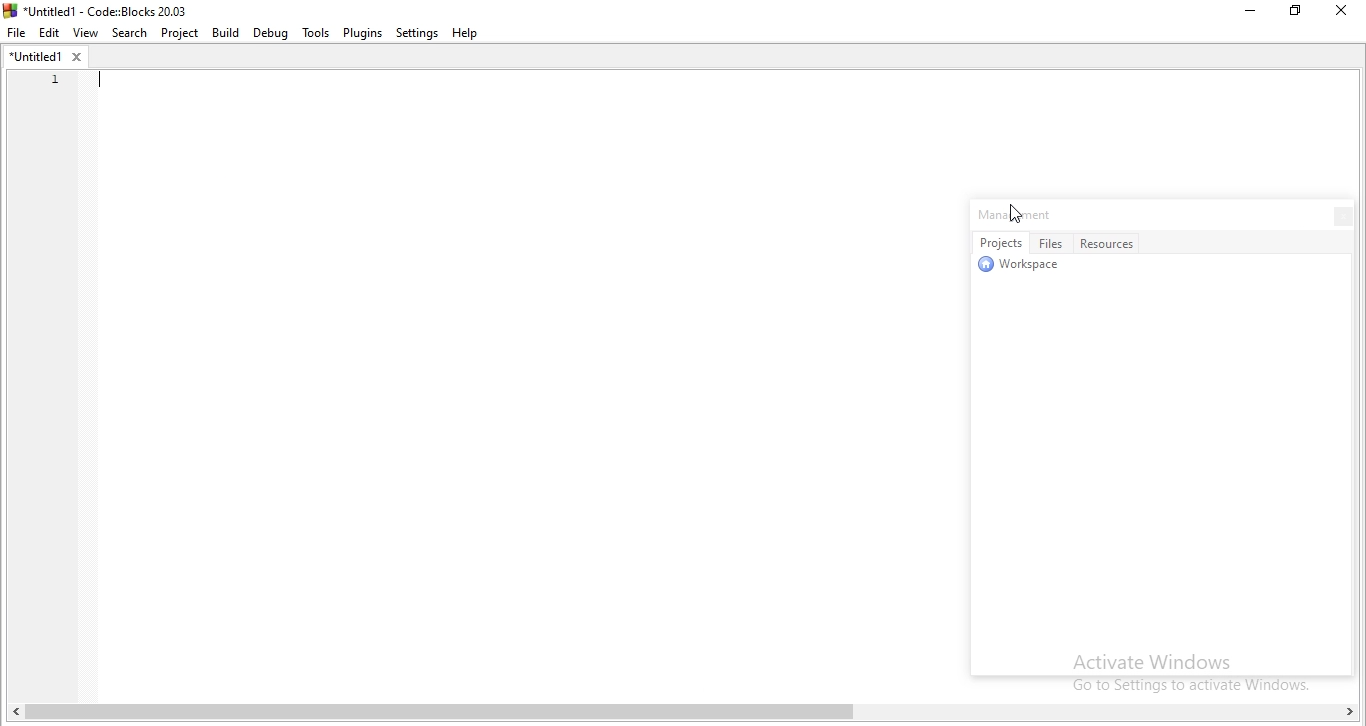 The height and width of the screenshot is (726, 1366). Describe the element at coordinates (1015, 215) in the screenshot. I see `cursor onManagement` at that location.